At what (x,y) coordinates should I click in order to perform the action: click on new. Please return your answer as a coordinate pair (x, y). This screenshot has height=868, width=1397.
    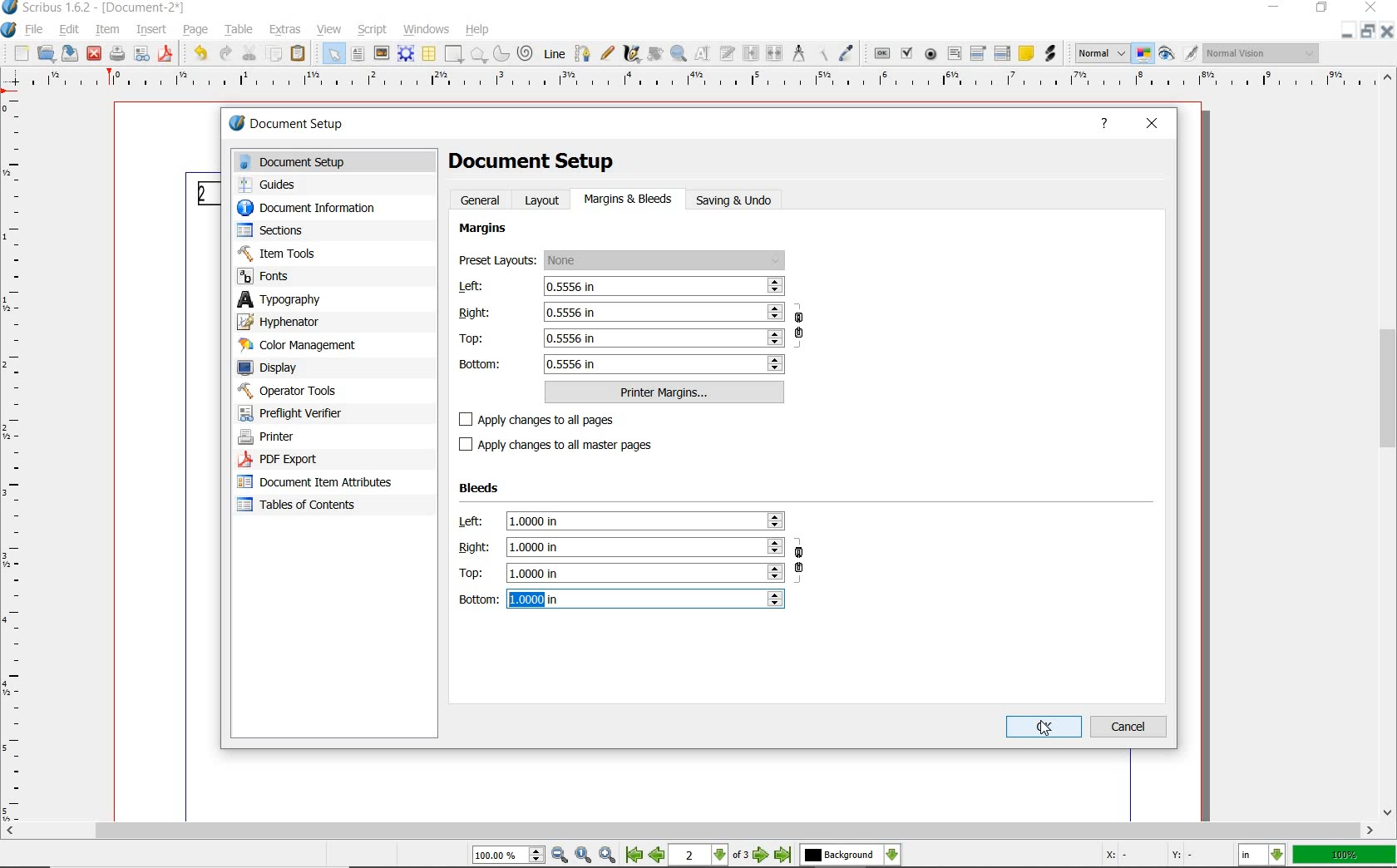
    Looking at the image, I should click on (22, 54).